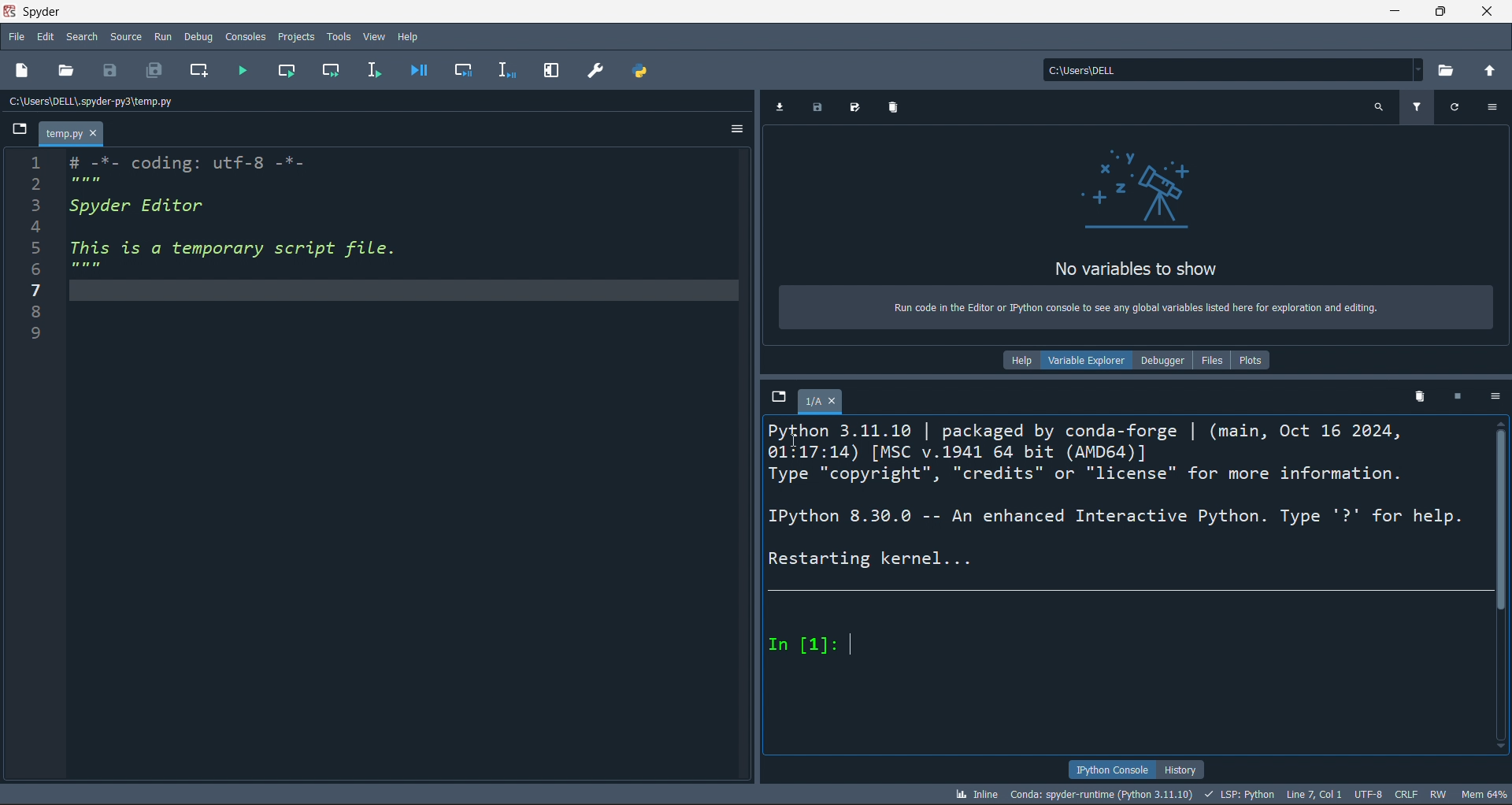 Image resolution: width=1512 pixels, height=805 pixels. I want to click on LINE 7, COL 1, so click(1317, 793).